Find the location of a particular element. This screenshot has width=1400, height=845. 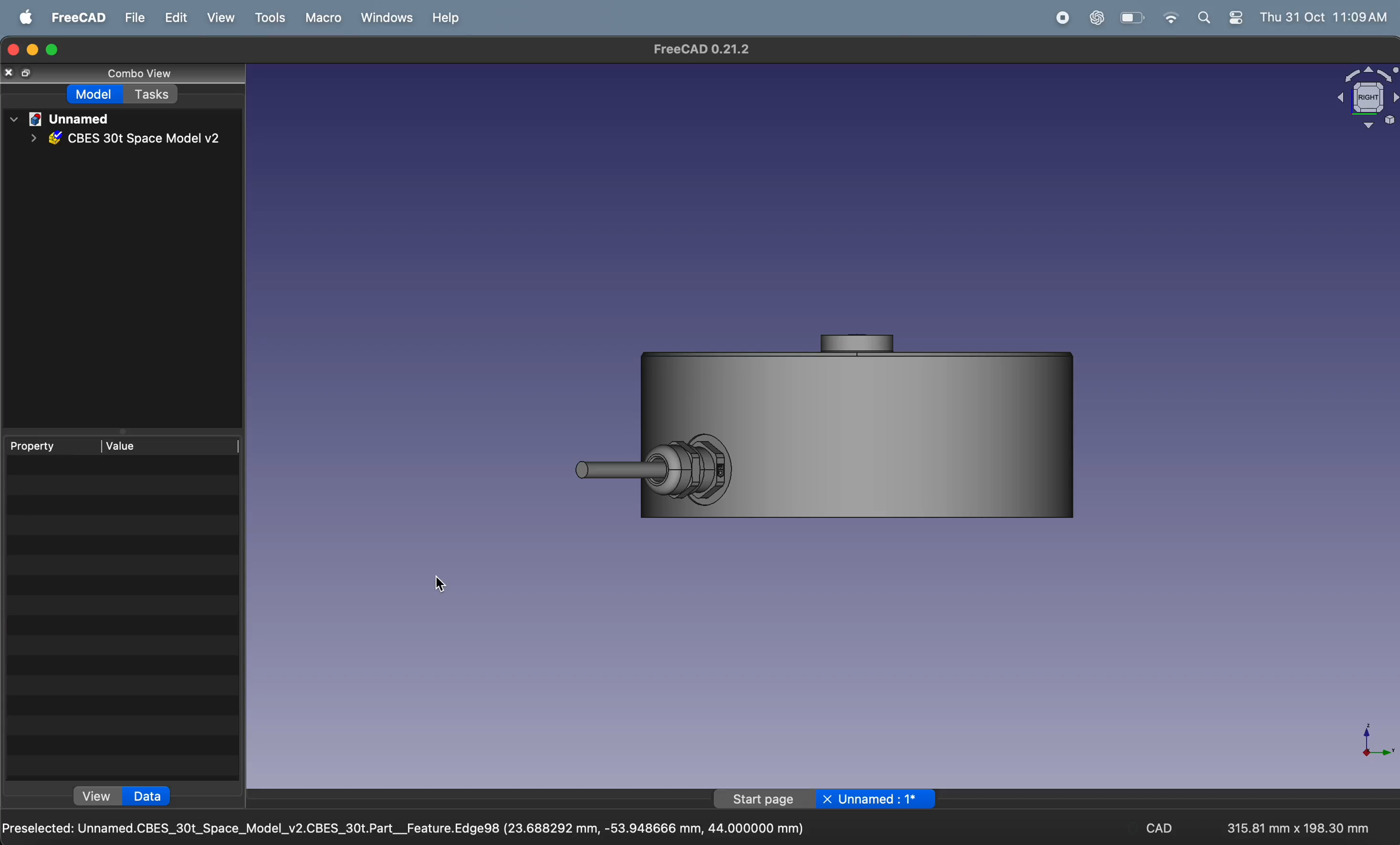

unnamed is located at coordinates (68, 118).